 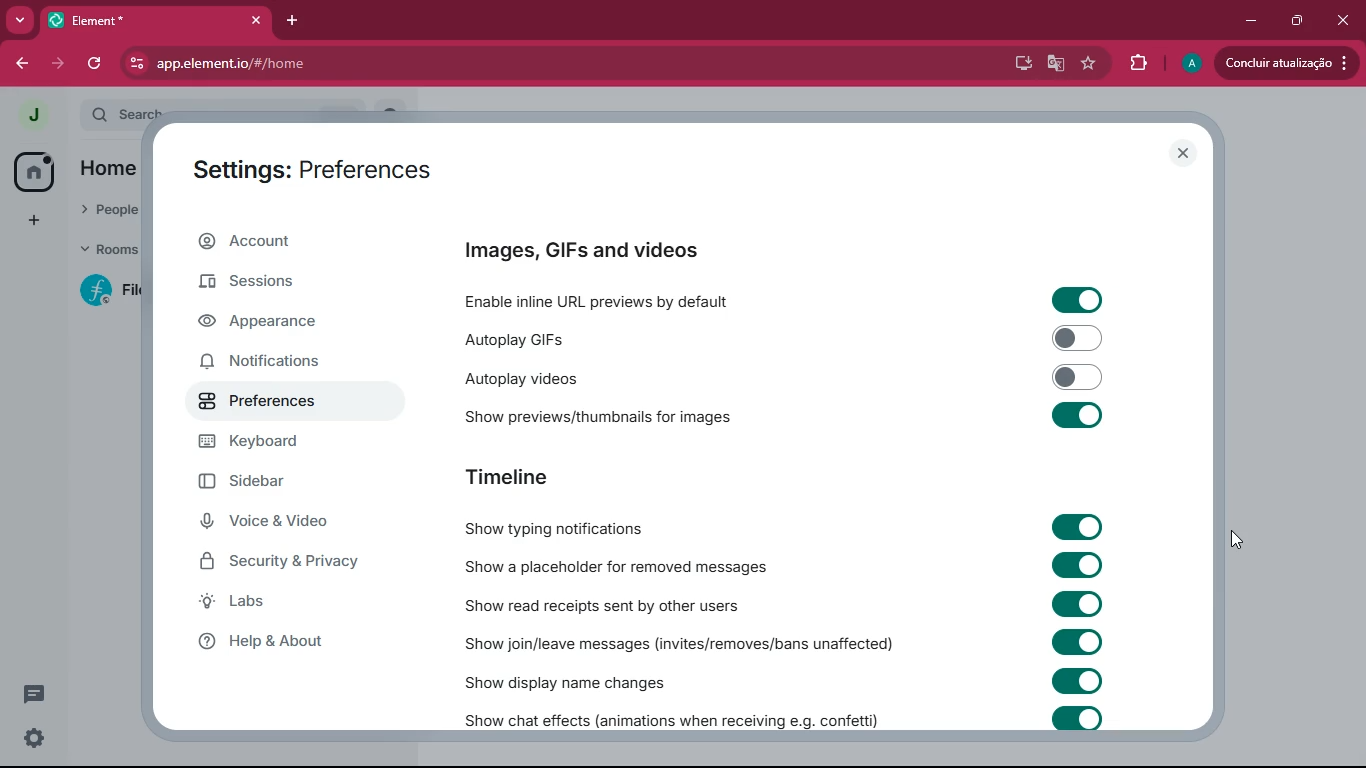 I want to click on toggle on/off, so click(x=1077, y=338).